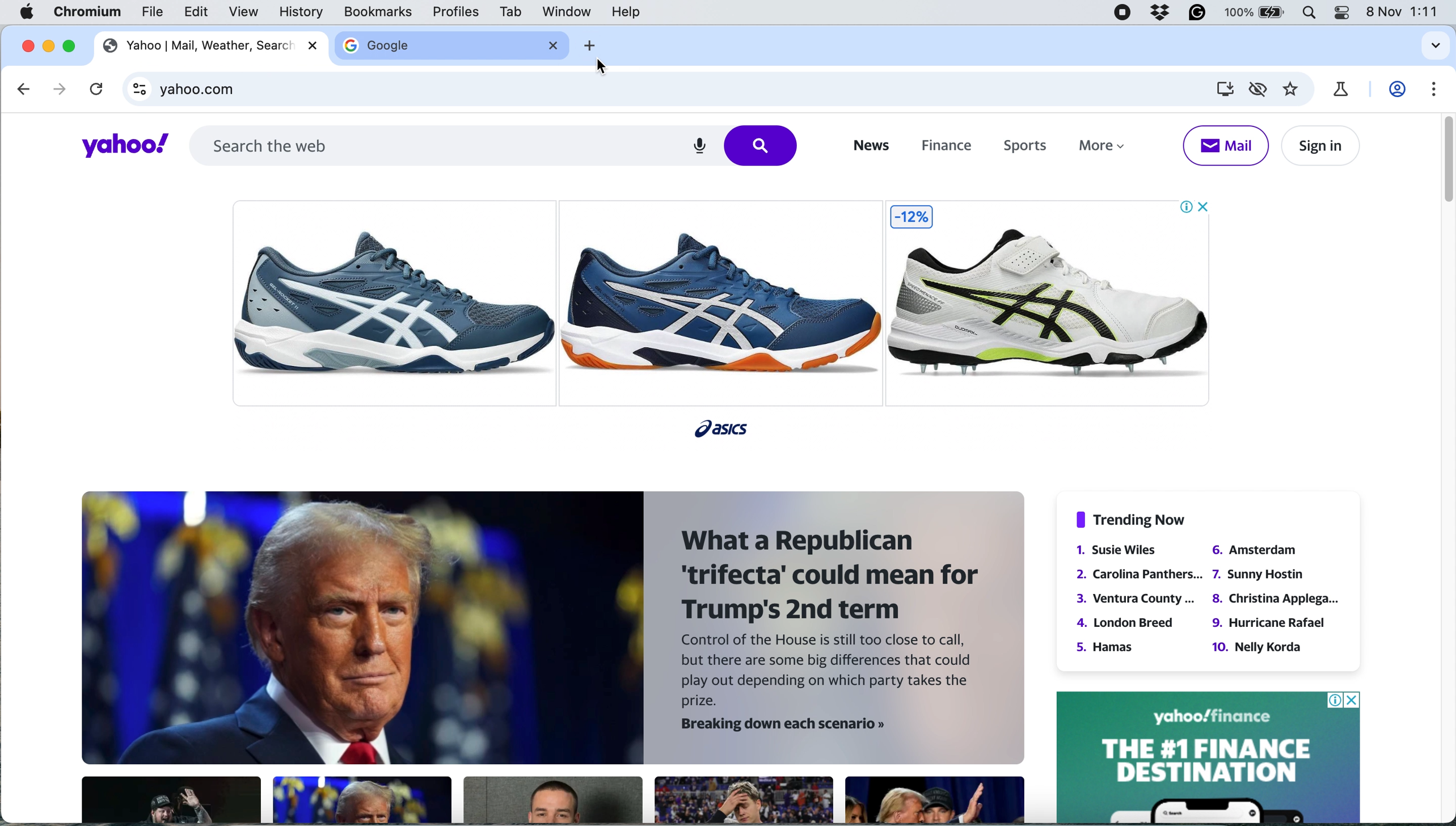 The image size is (1456, 826). I want to click on yahoo ad, so click(1208, 756).